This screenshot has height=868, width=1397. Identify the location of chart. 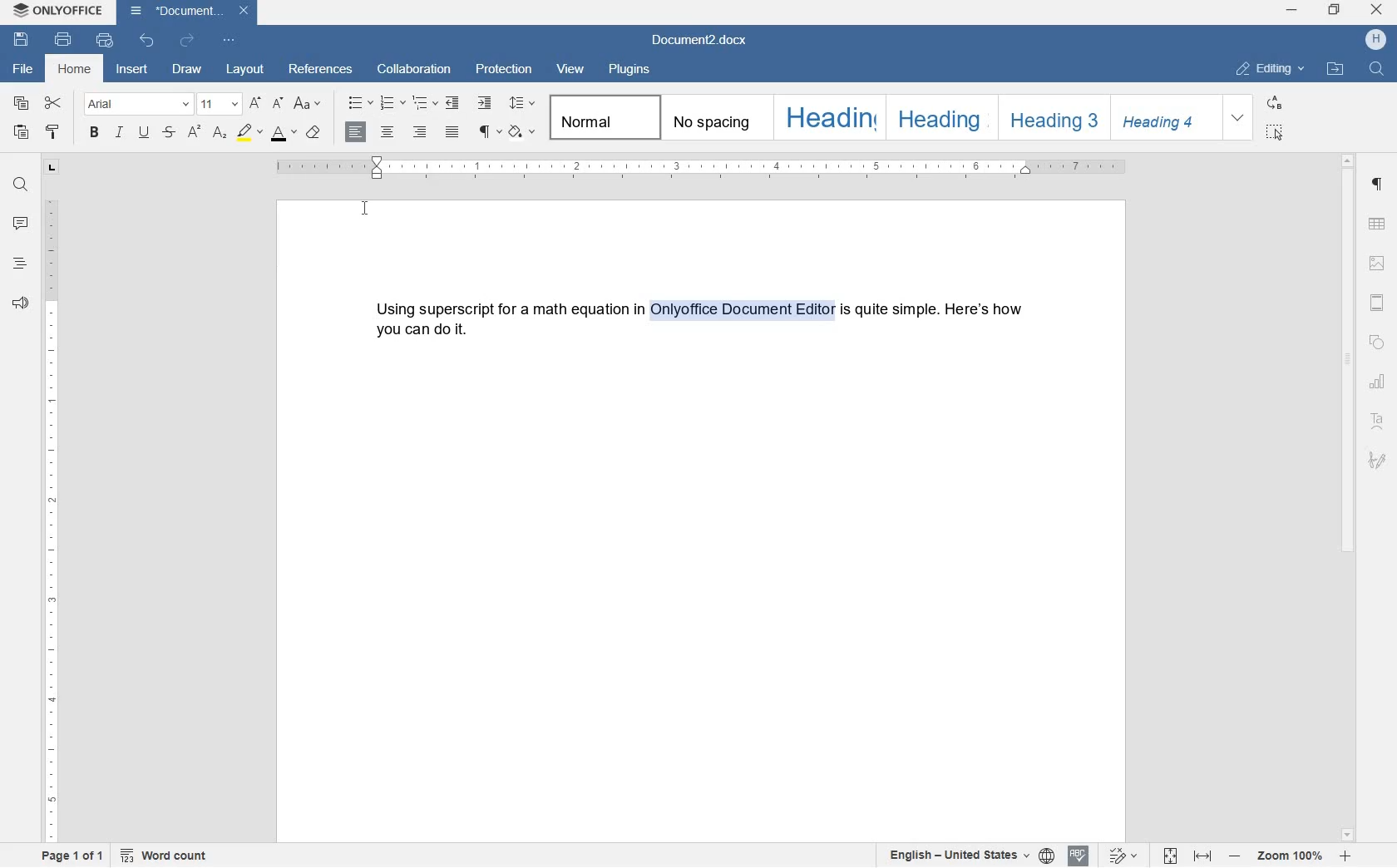
(1379, 382).